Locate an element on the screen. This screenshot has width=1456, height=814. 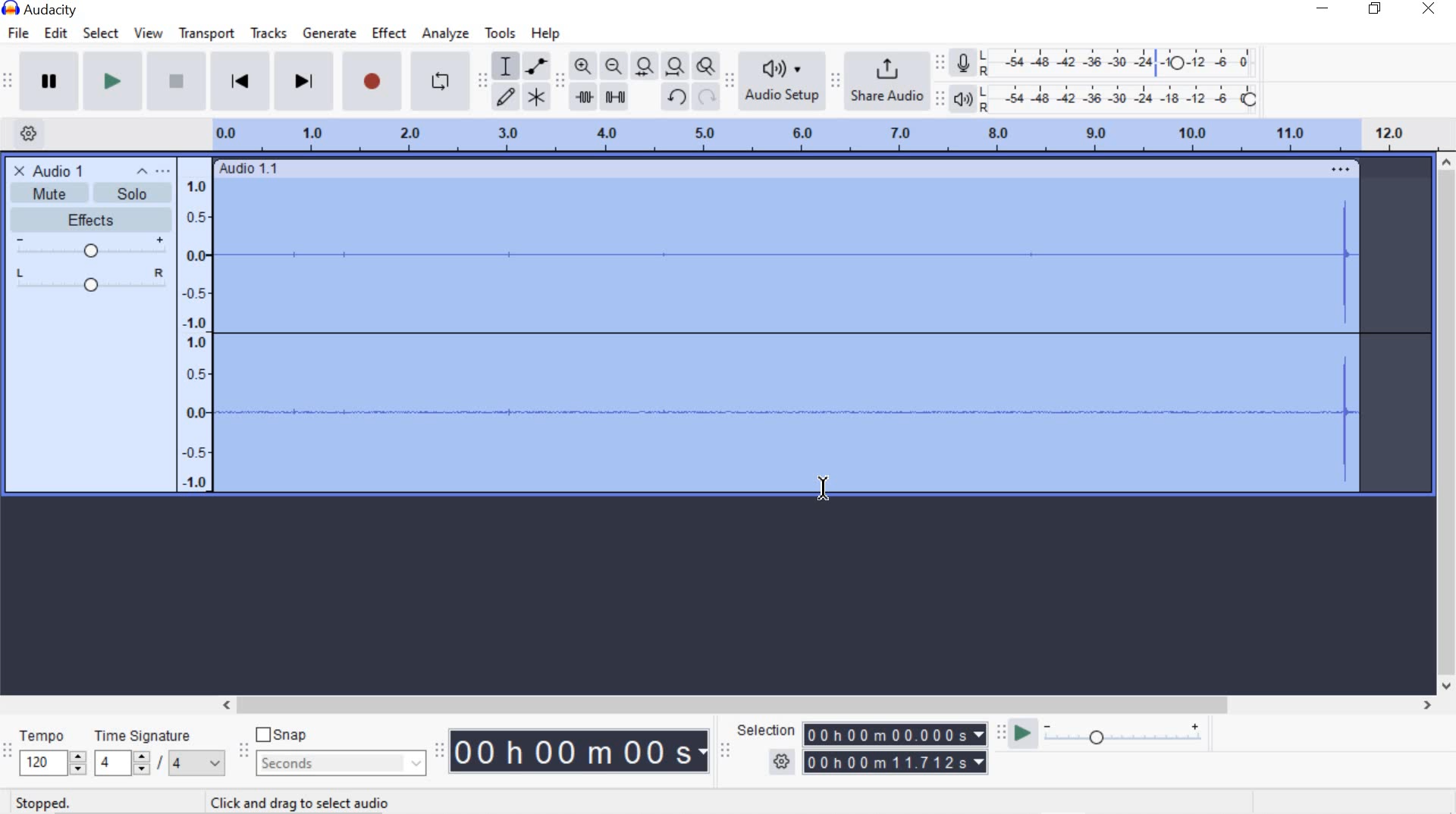
help is located at coordinates (542, 33).